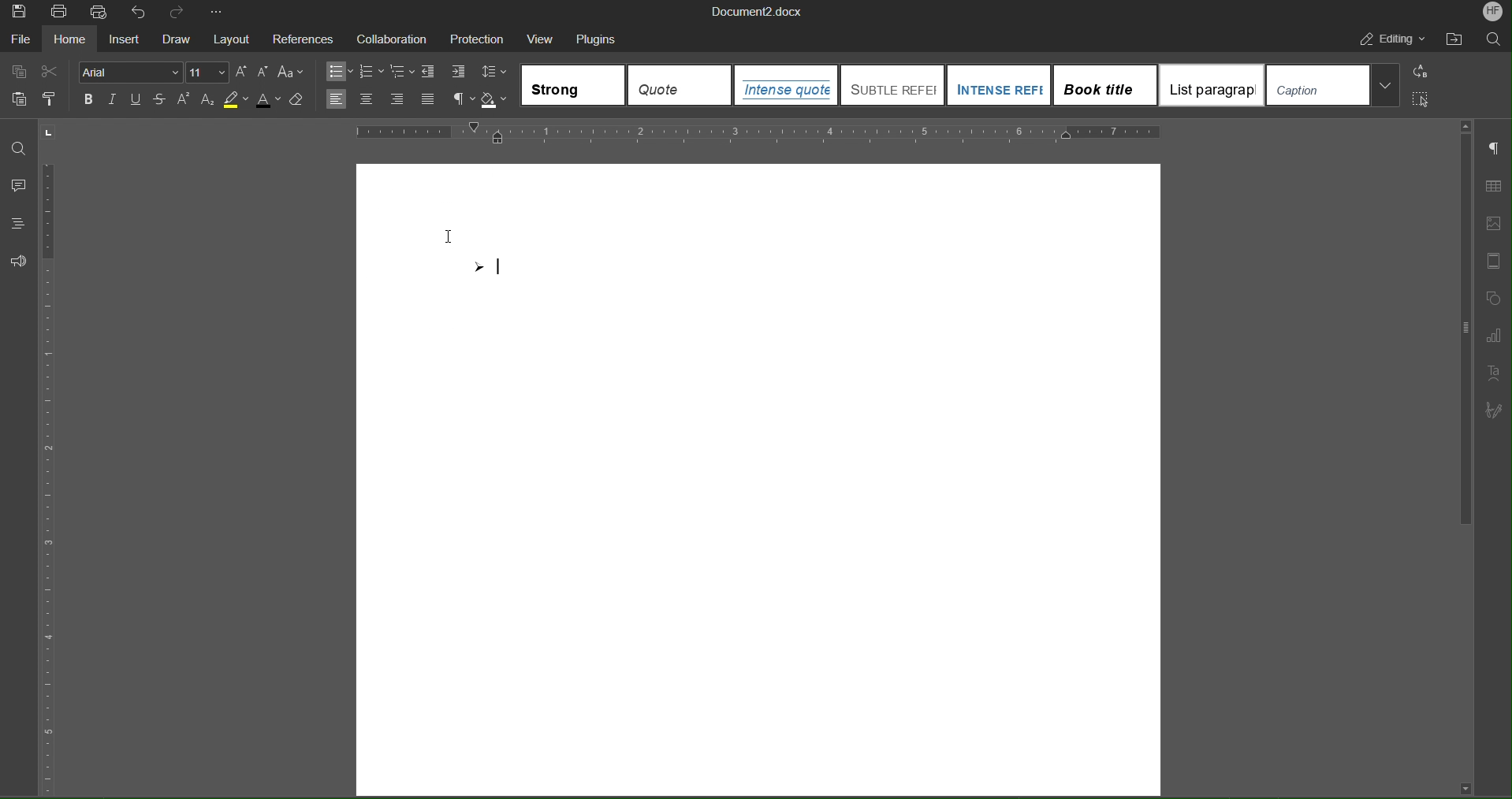 This screenshot has width=1512, height=799. I want to click on Home, so click(70, 40).